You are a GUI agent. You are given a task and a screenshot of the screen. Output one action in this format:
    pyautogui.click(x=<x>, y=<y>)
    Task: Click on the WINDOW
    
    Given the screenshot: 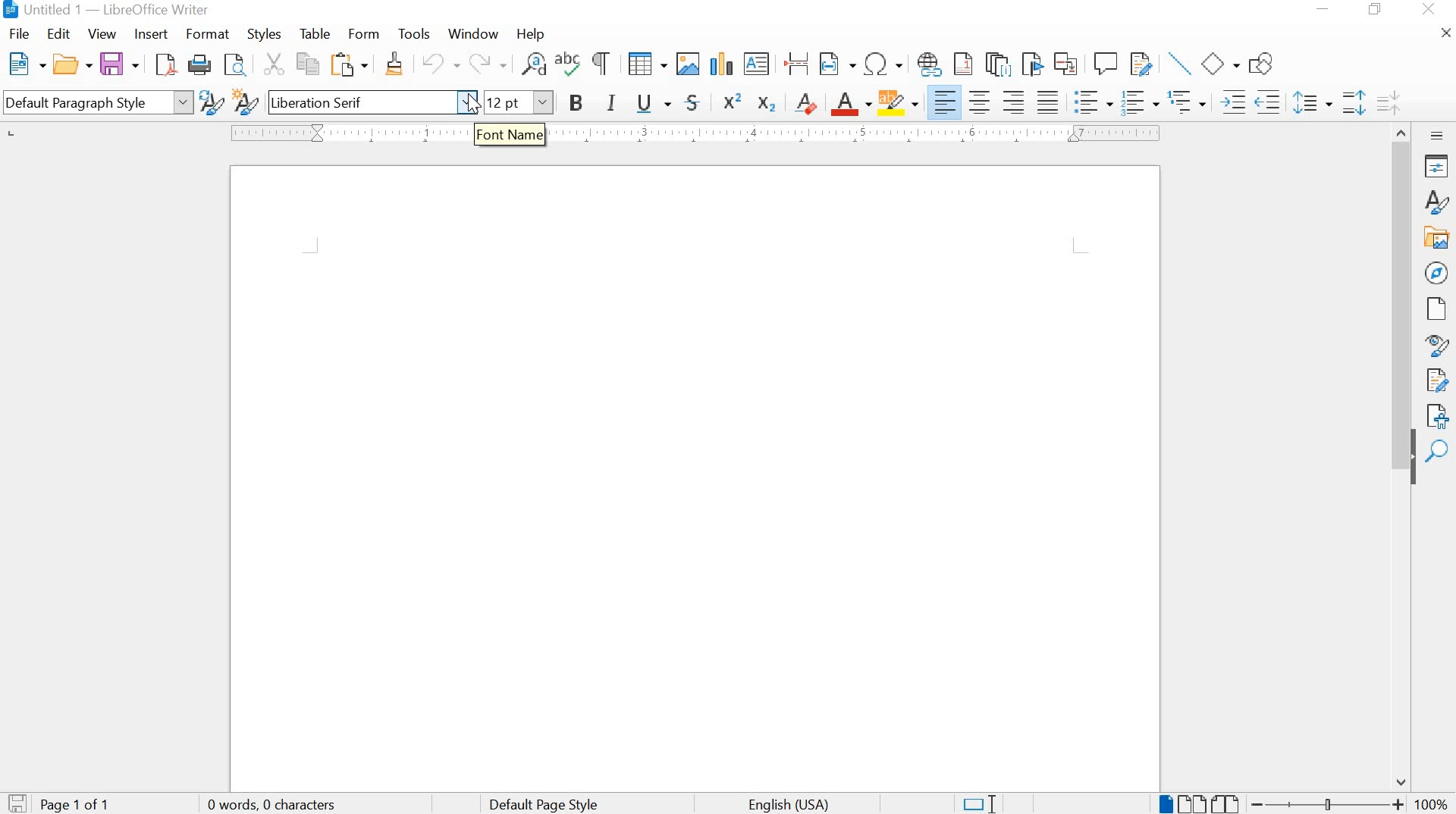 What is the action you would take?
    pyautogui.click(x=472, y=35)
    